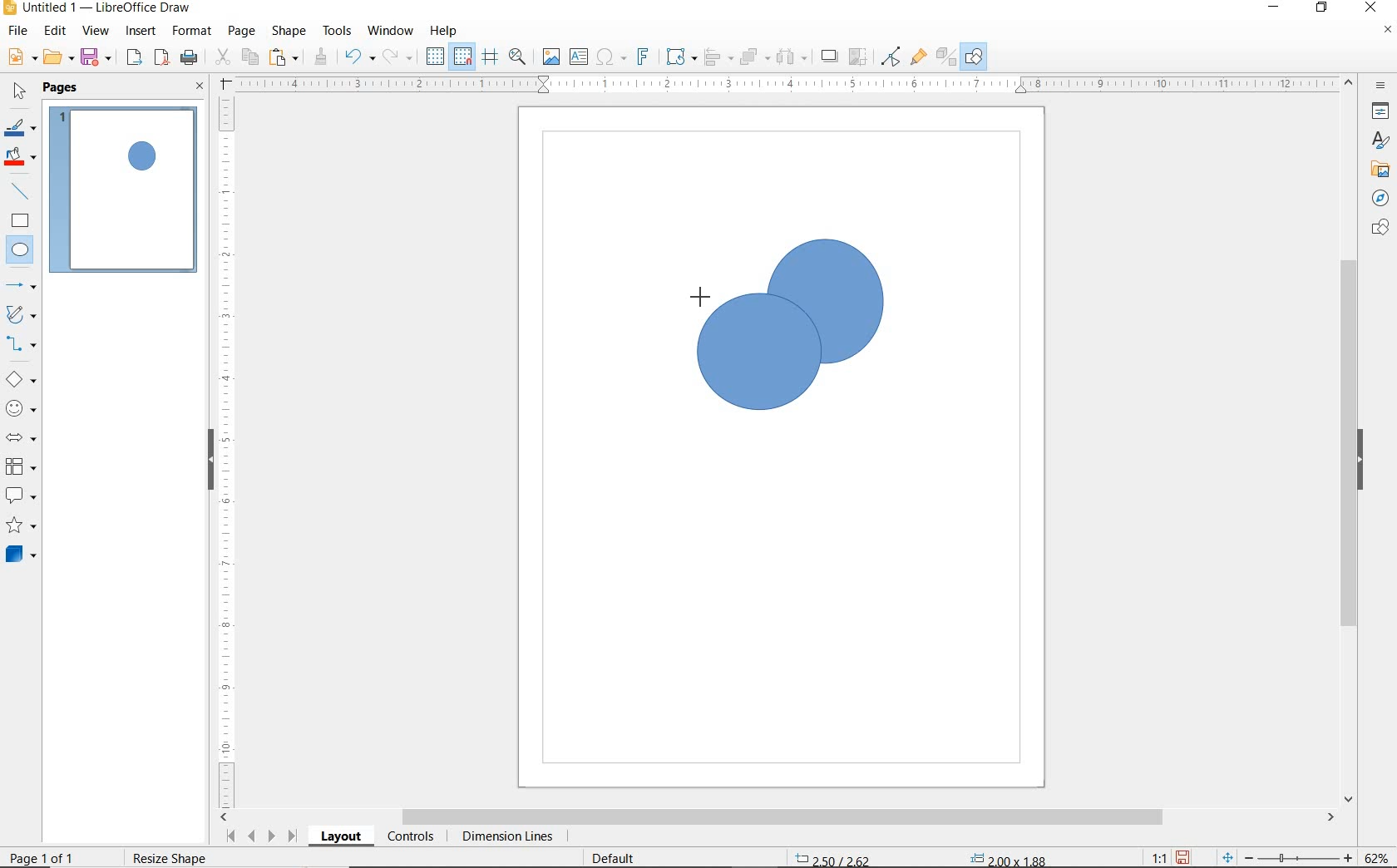 Image resolution: width=1397 pixels, height=868 pixels. What do you see at coordinates (891, 57) in the screenshot?
I see `TOGGLE POINT EDIT MODE` at bounding box center [891, 57].